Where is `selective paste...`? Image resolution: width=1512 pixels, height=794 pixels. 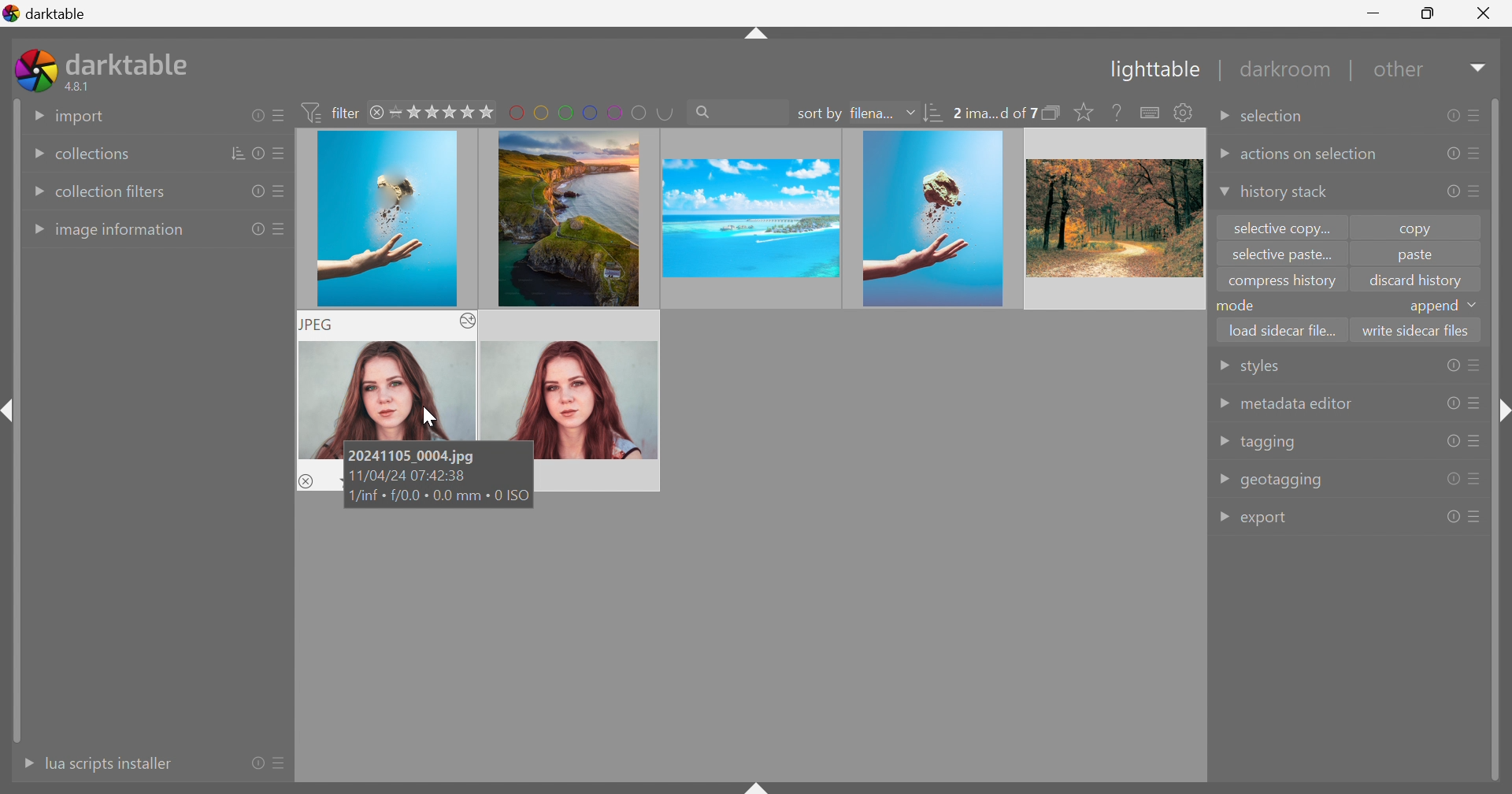
selective paste... is located at coordinates (1278, 256).